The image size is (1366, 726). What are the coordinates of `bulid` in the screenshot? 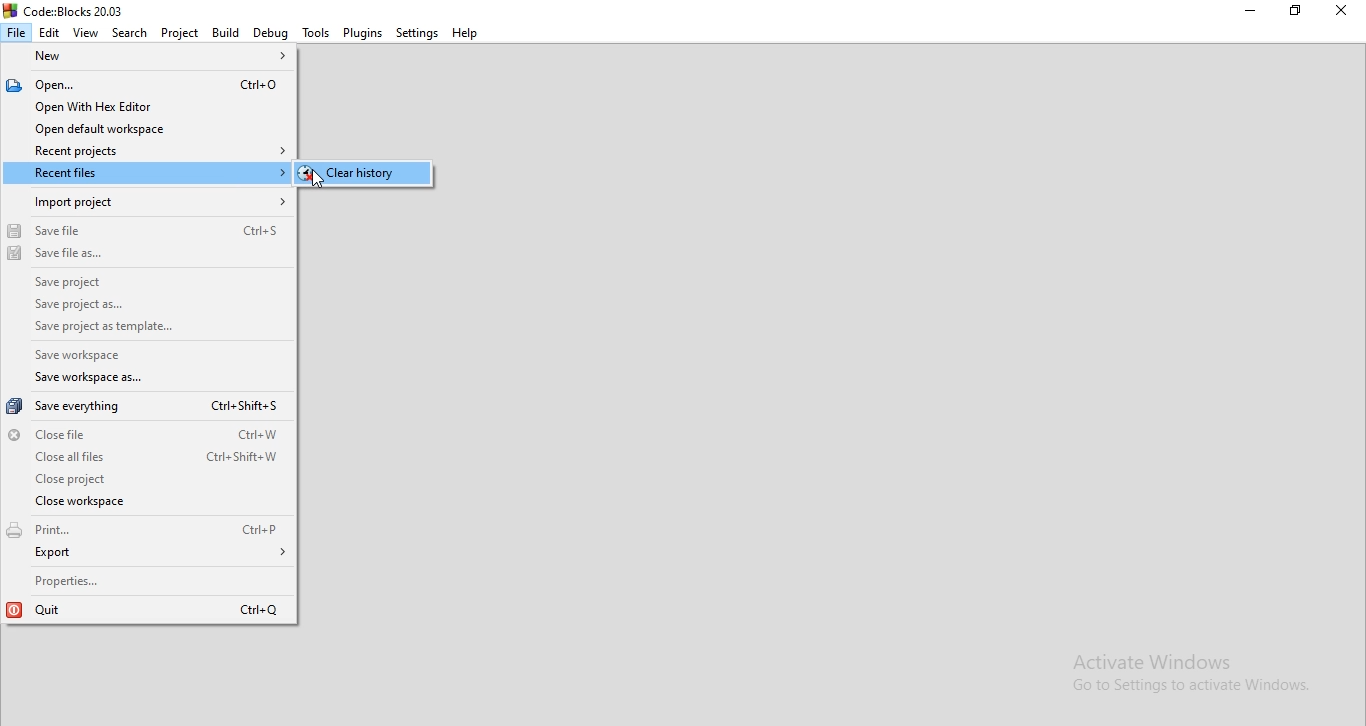 It's located at (224, 32).